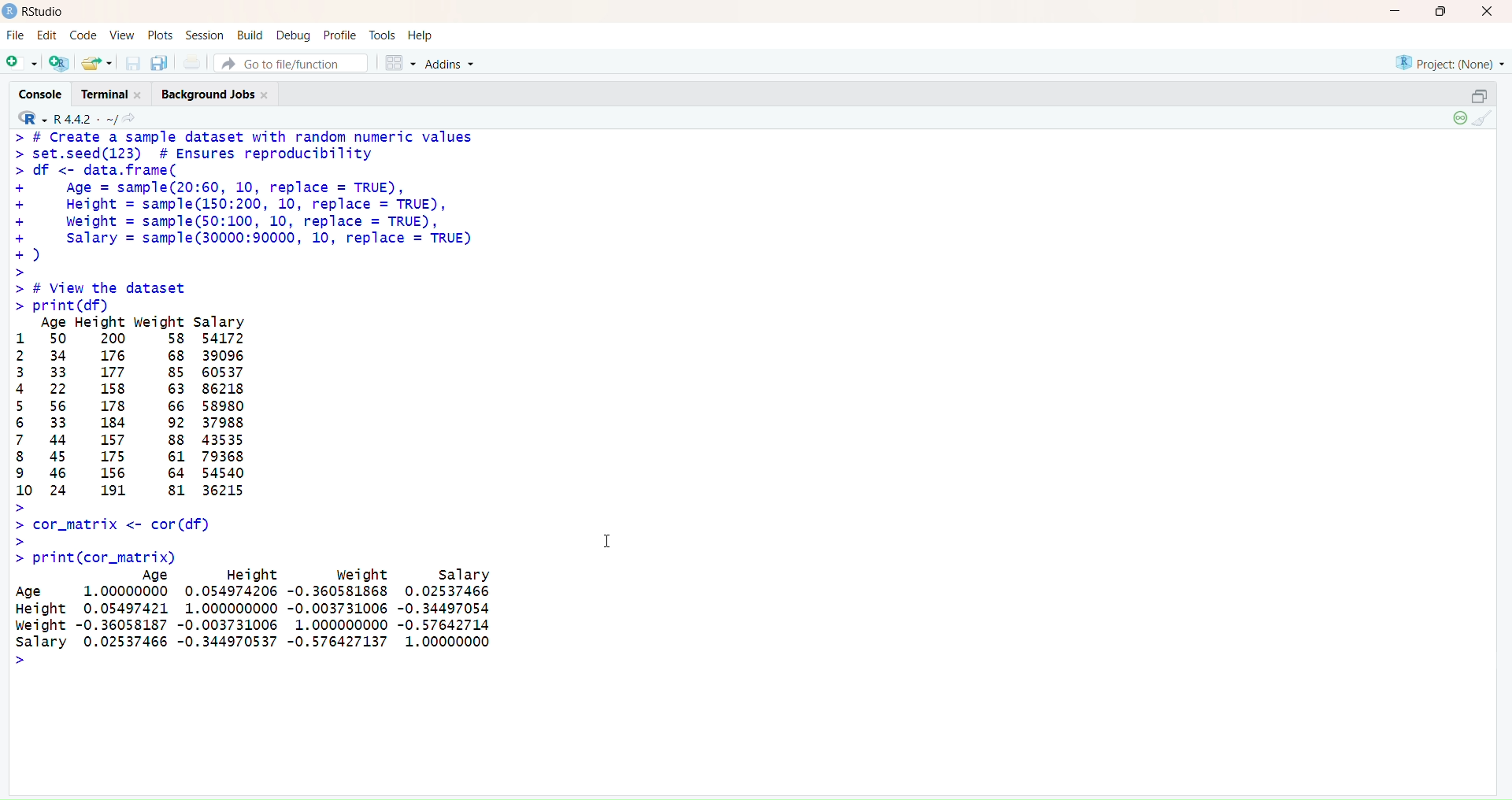  Describe the element at coordinates (46, 93) in the screenshot. I see `Console` at that location.